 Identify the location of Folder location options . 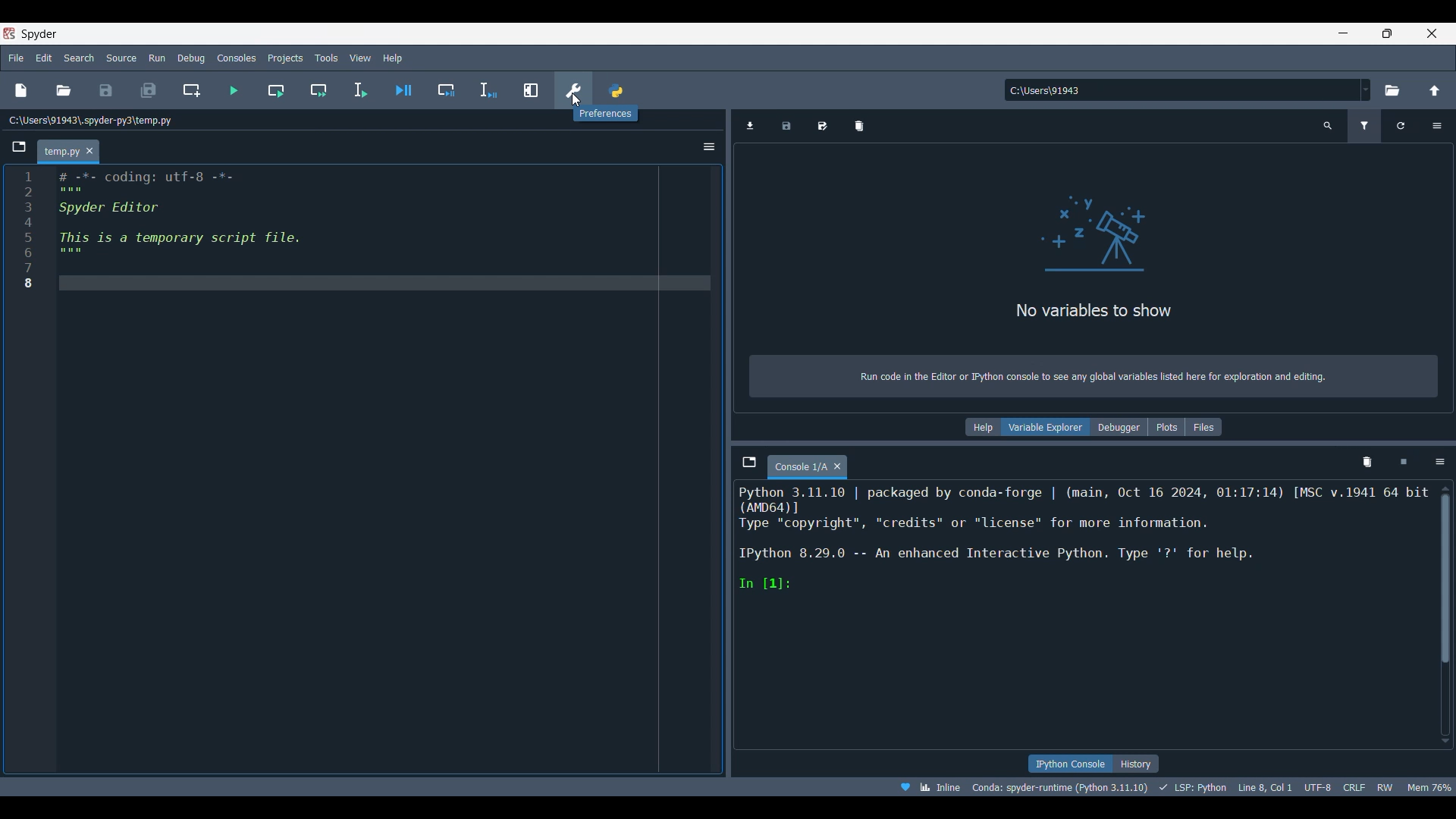
(1366, 89).